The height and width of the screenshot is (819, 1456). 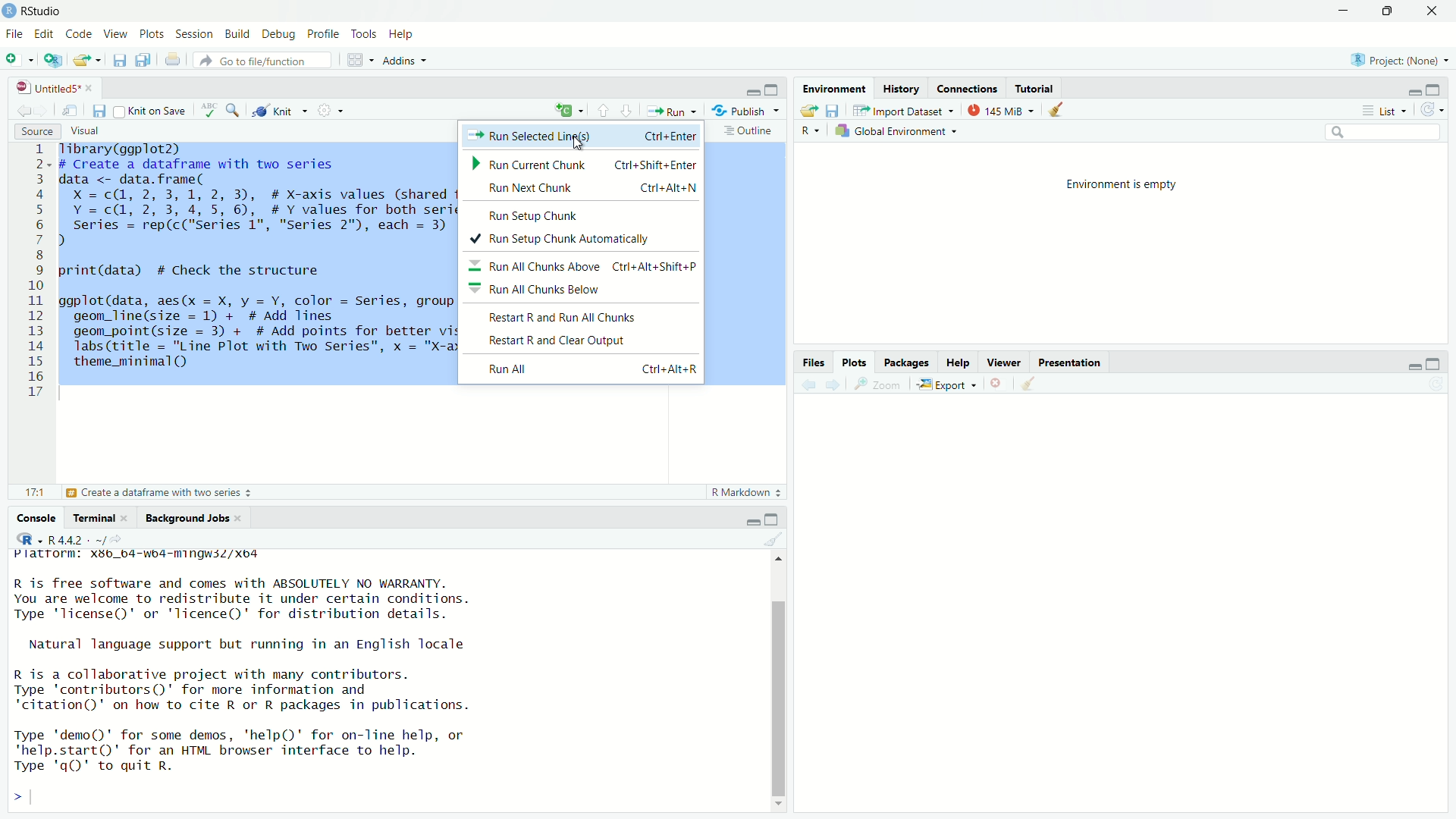 I want to click on Minimize, so click(x=751, y=91).